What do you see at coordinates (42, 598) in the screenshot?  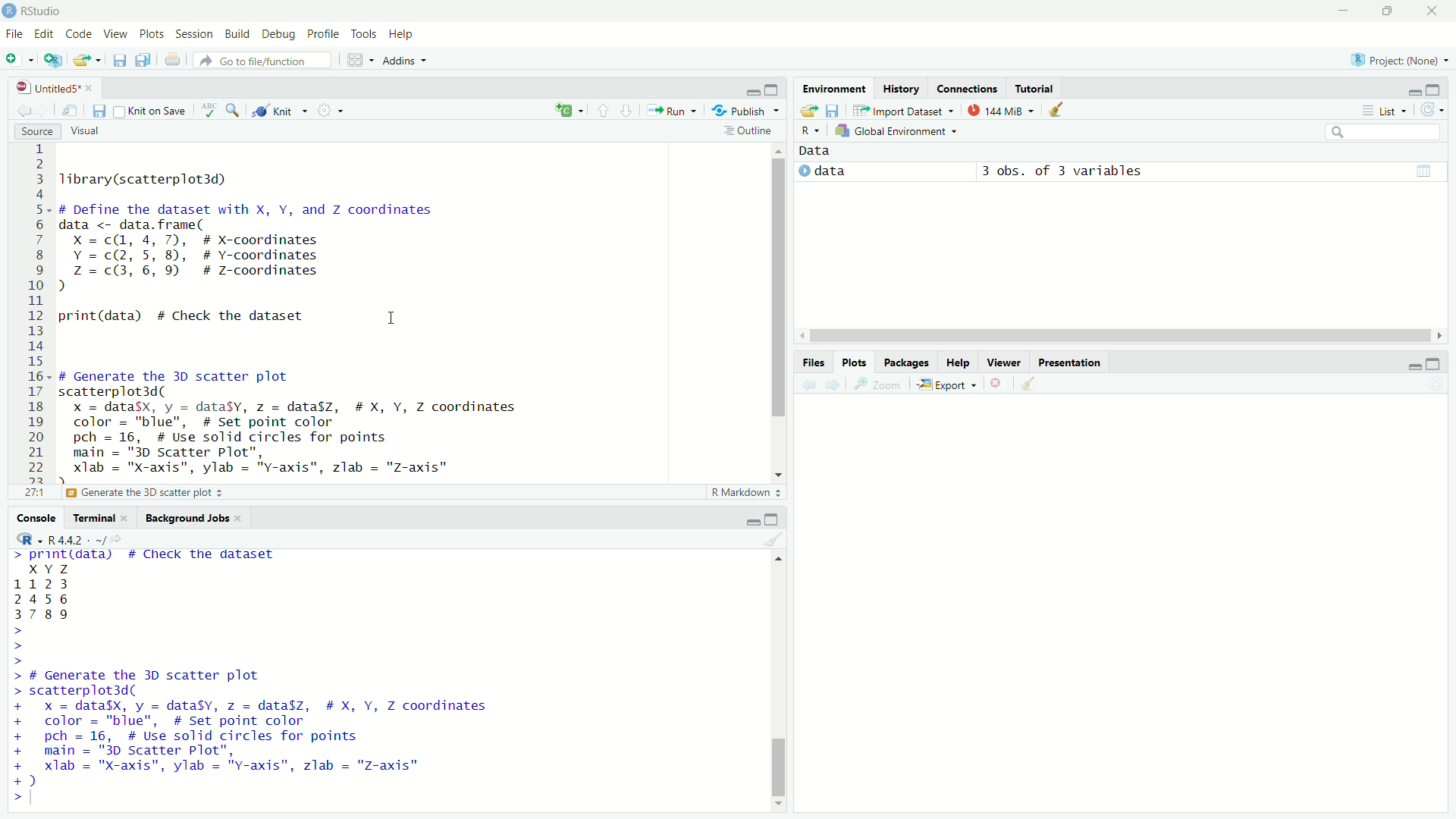 I see `2456` at bounding box center [42, 598].